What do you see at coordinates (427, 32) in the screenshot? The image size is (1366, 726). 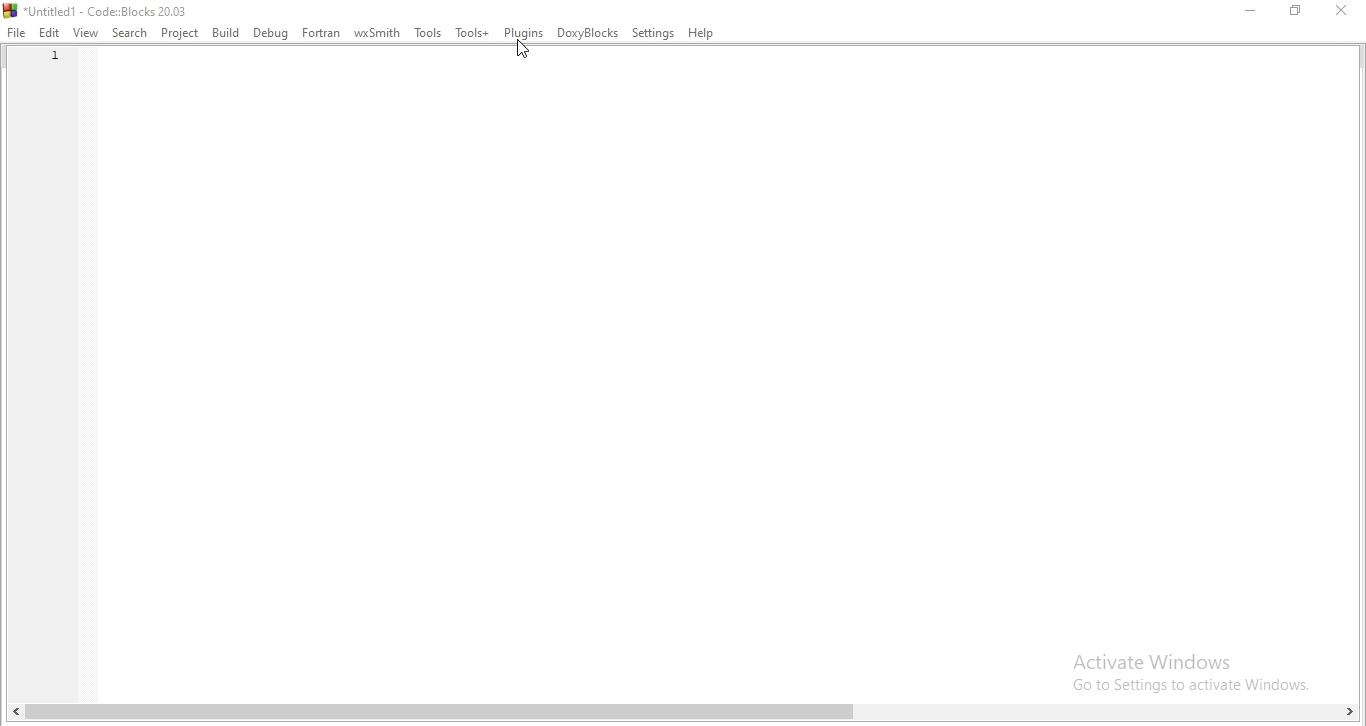 I see `Tools` at bounding box center [427, 32].